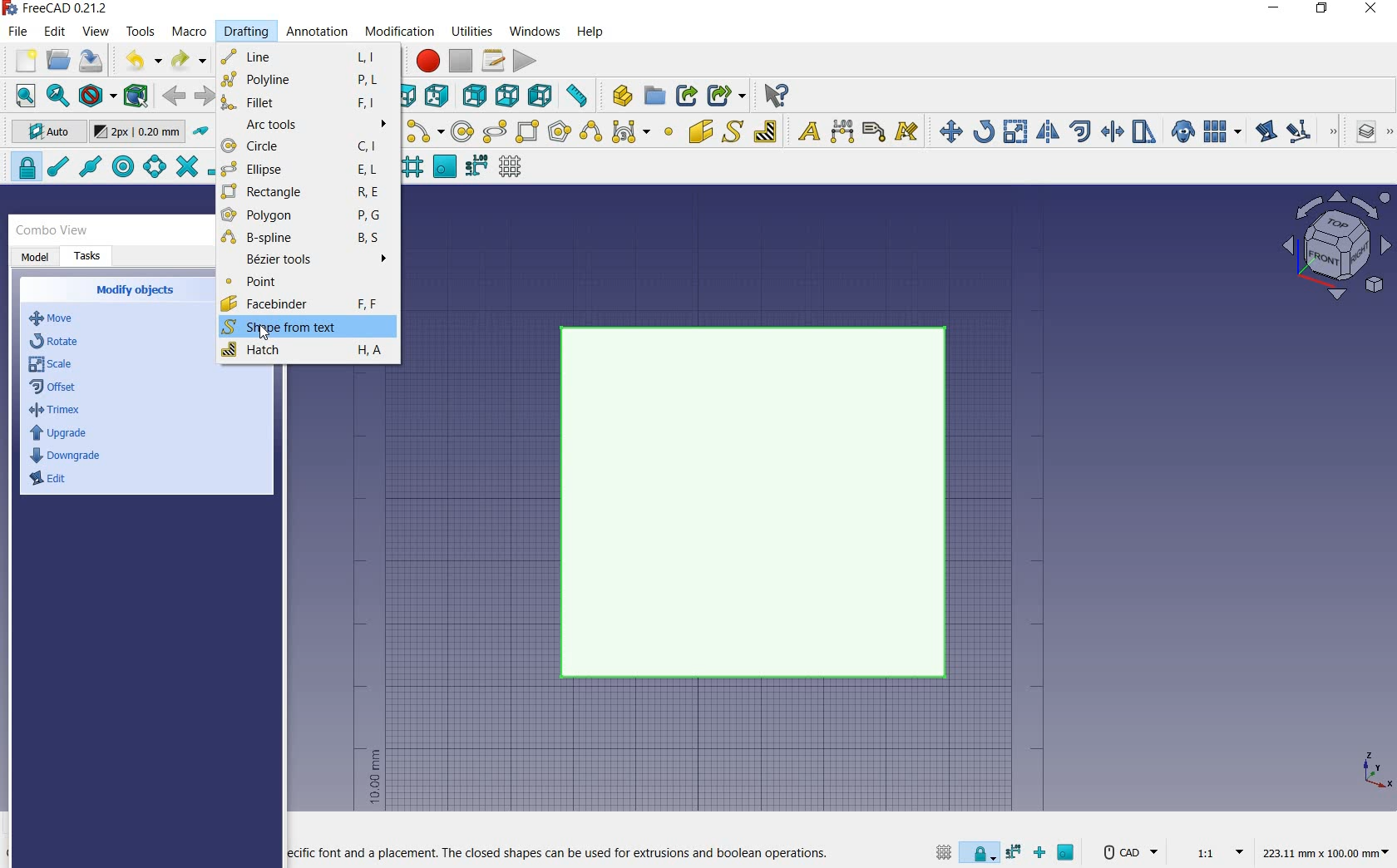 The width and height of the screenshot is (1397, 868). I want to click on manage layers, so click(1358, 133).